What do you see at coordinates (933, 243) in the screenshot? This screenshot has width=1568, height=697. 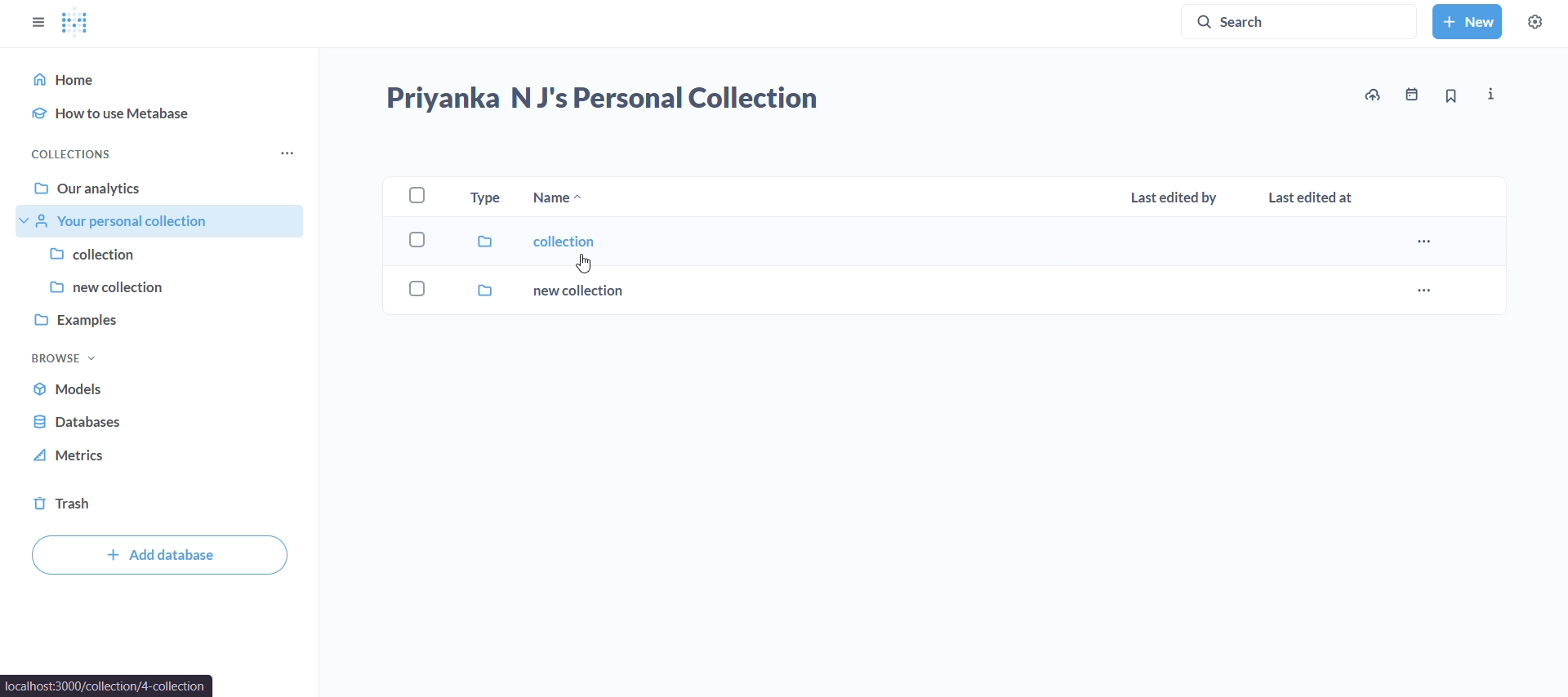 I see `Collection` at bounding box center [933, 243].